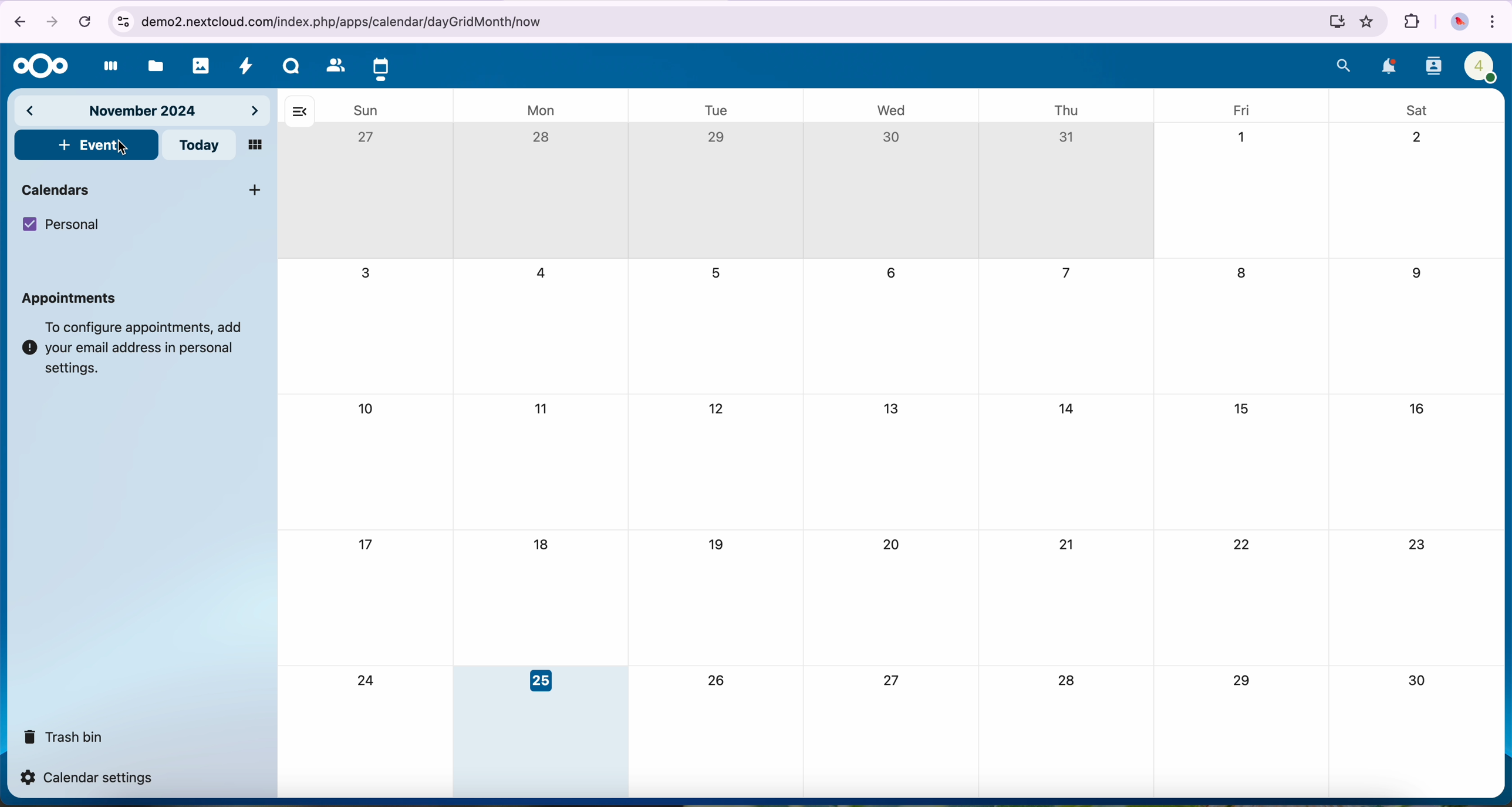  I want to click on 29, so click(718, 139).